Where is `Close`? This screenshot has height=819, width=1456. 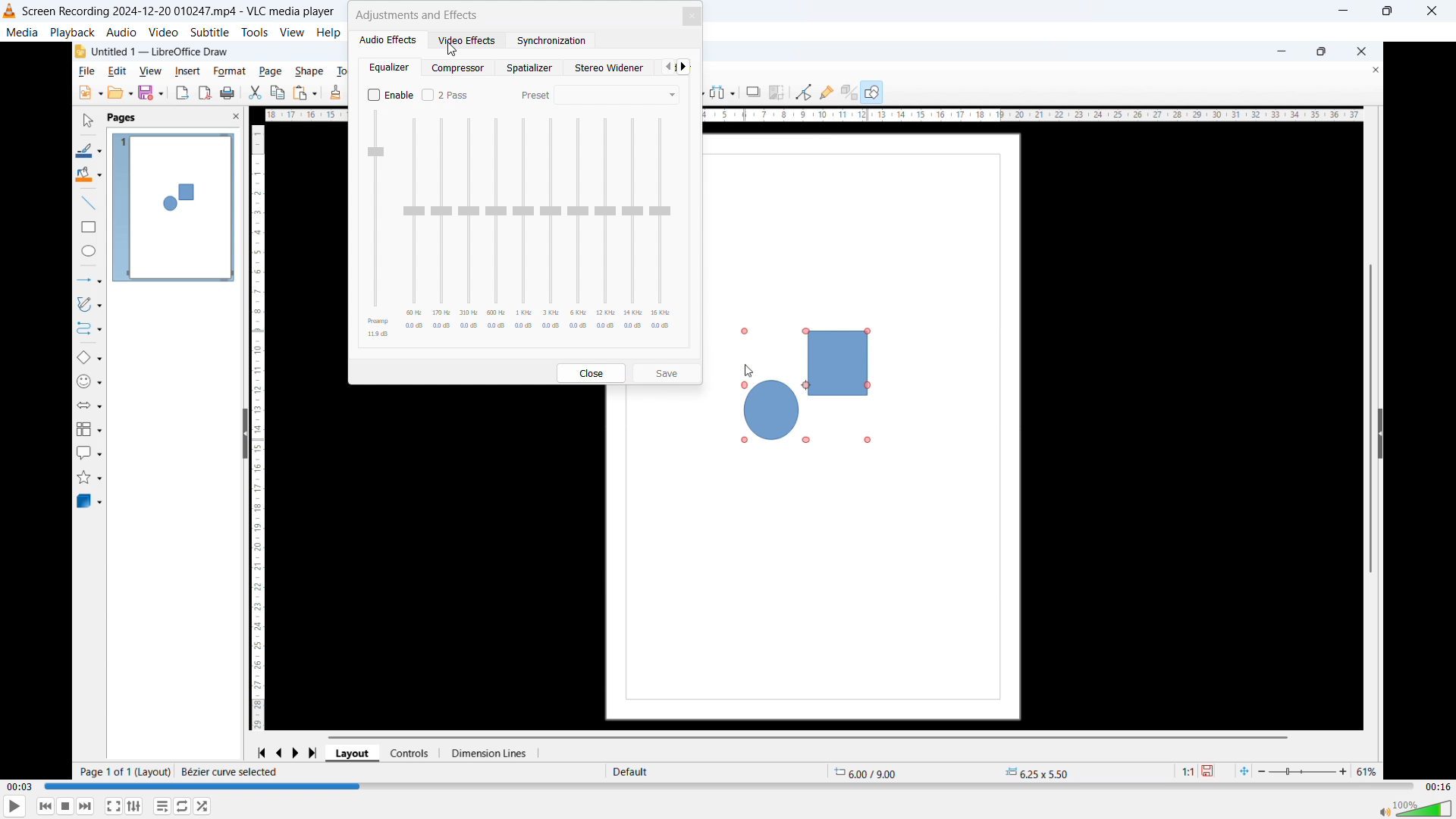
Close is located at coordinates (1435, 11).